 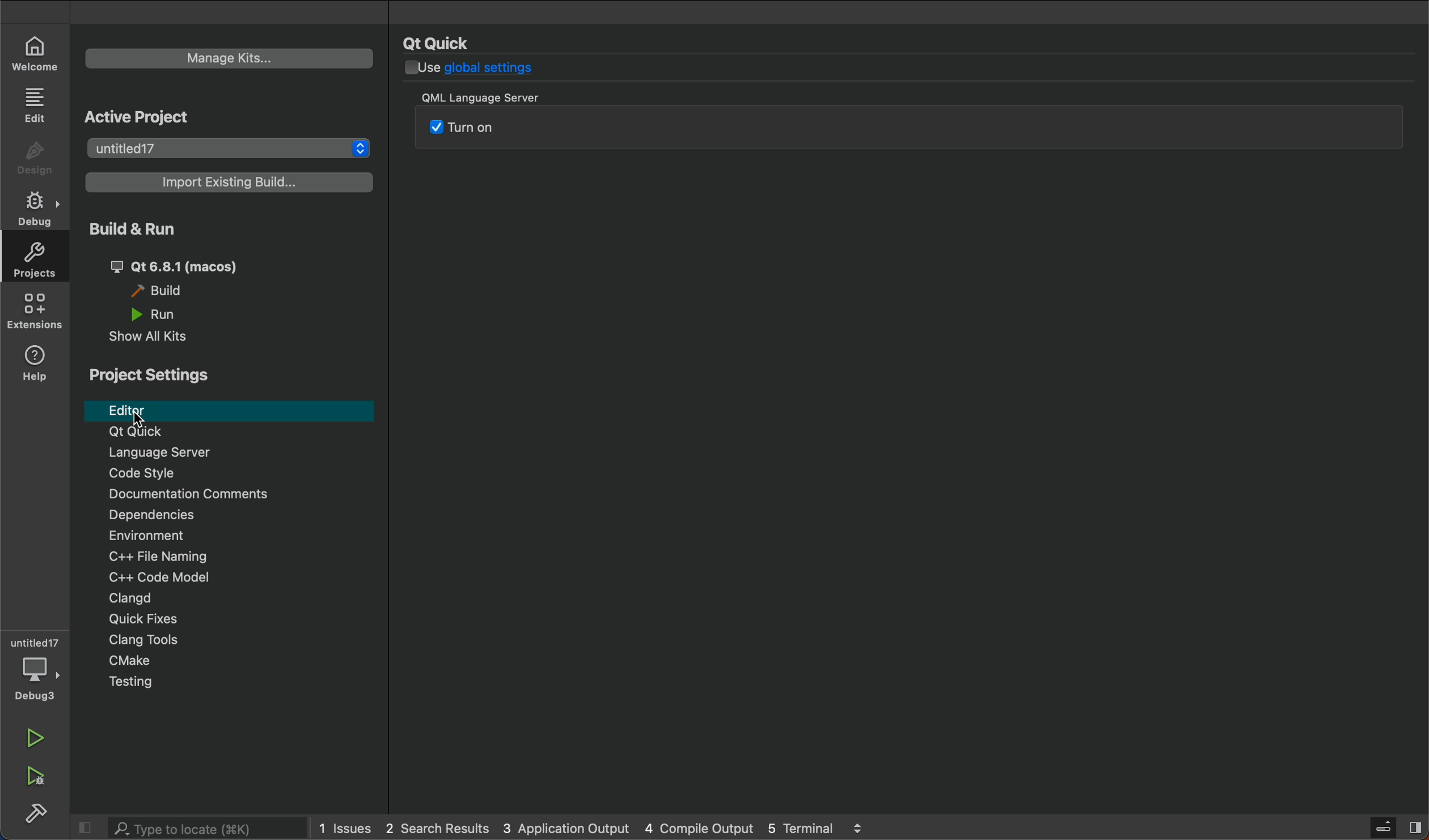 What do you see at coordinates (518, 129) in the screenshot?
I see `QML srver` at bounding box center [518, 129].